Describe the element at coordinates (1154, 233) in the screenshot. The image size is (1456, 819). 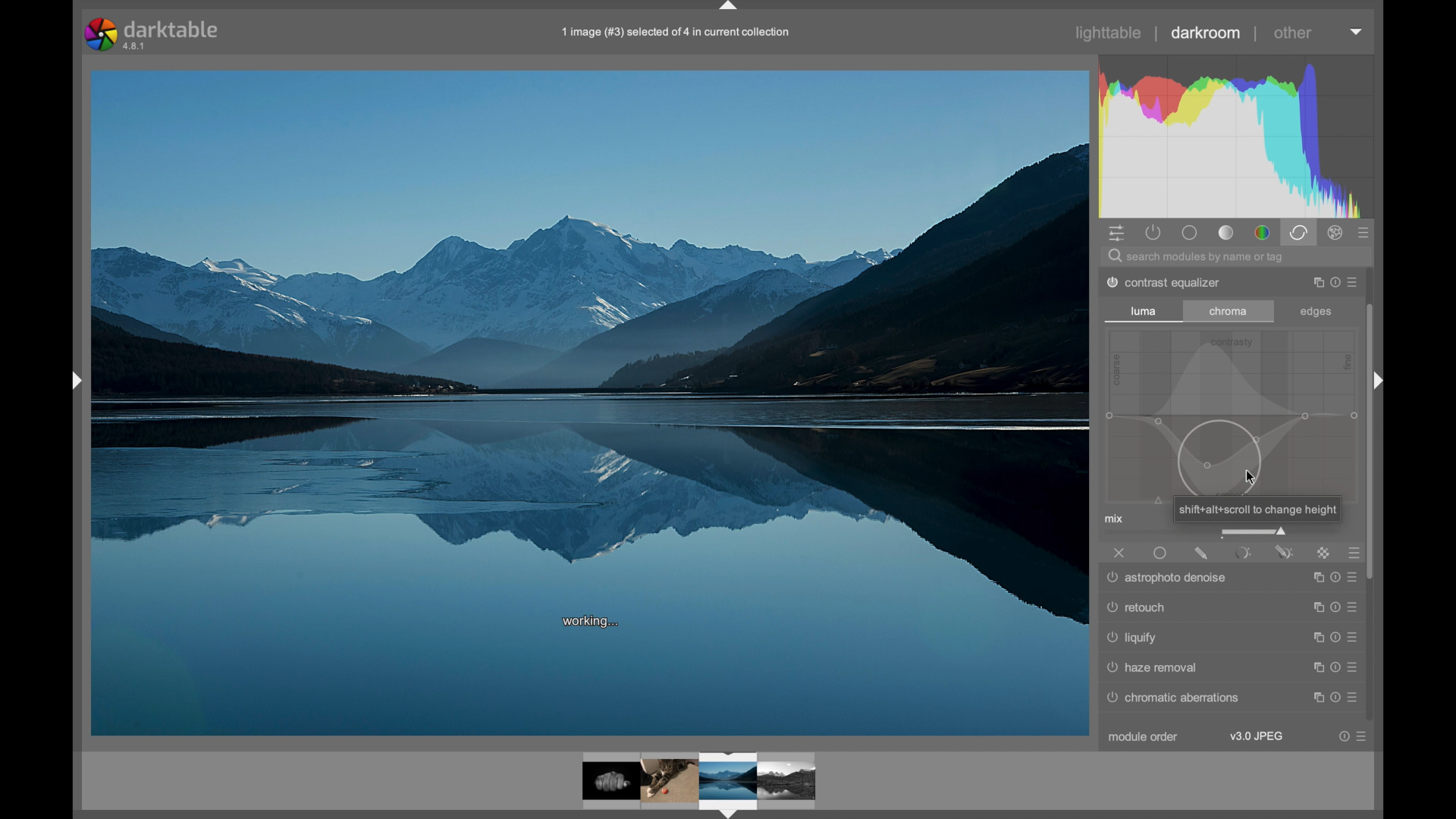
I see `show active  modules only` at that location.